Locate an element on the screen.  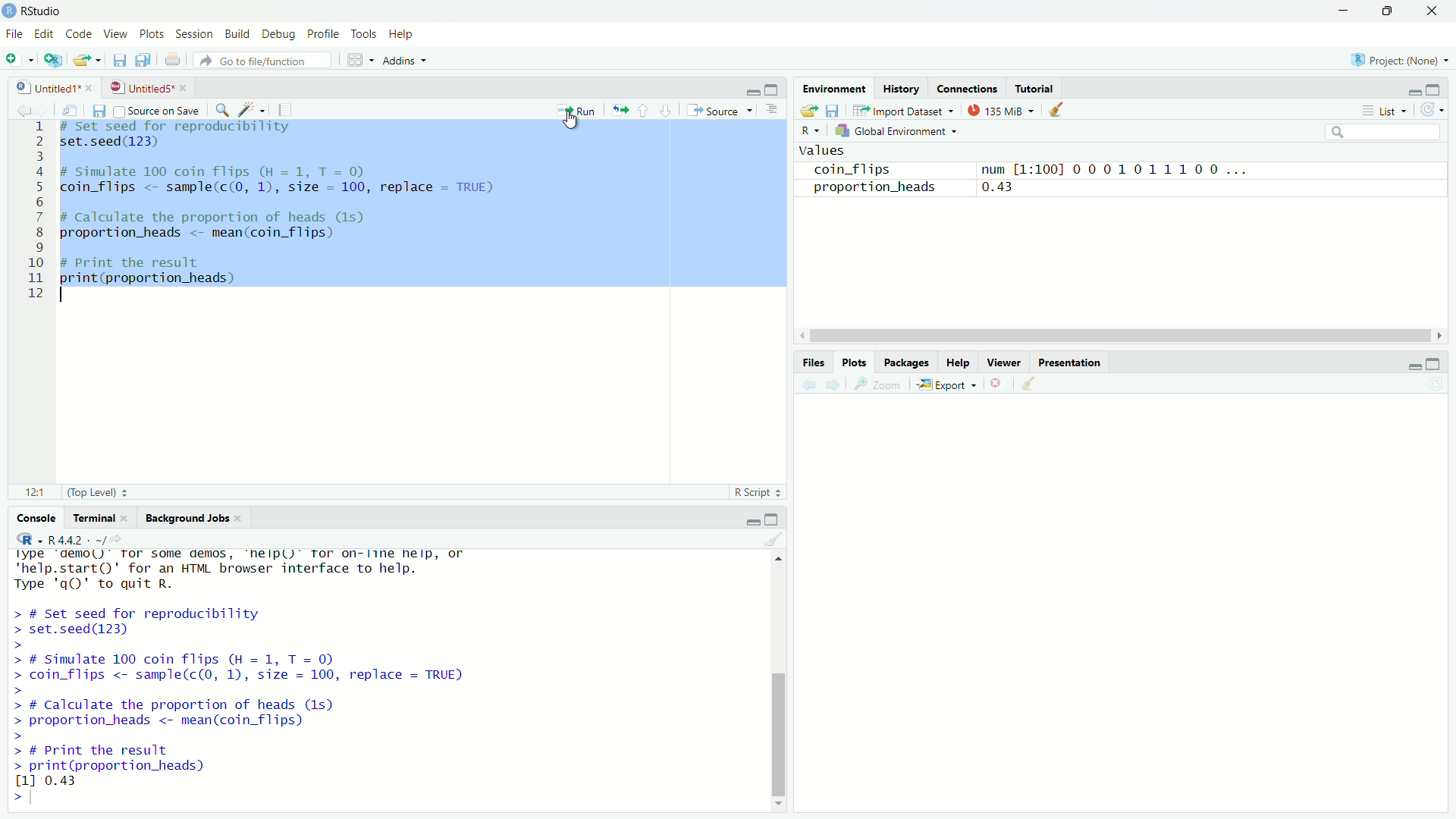
cursor is located at coordinates (572, 118).